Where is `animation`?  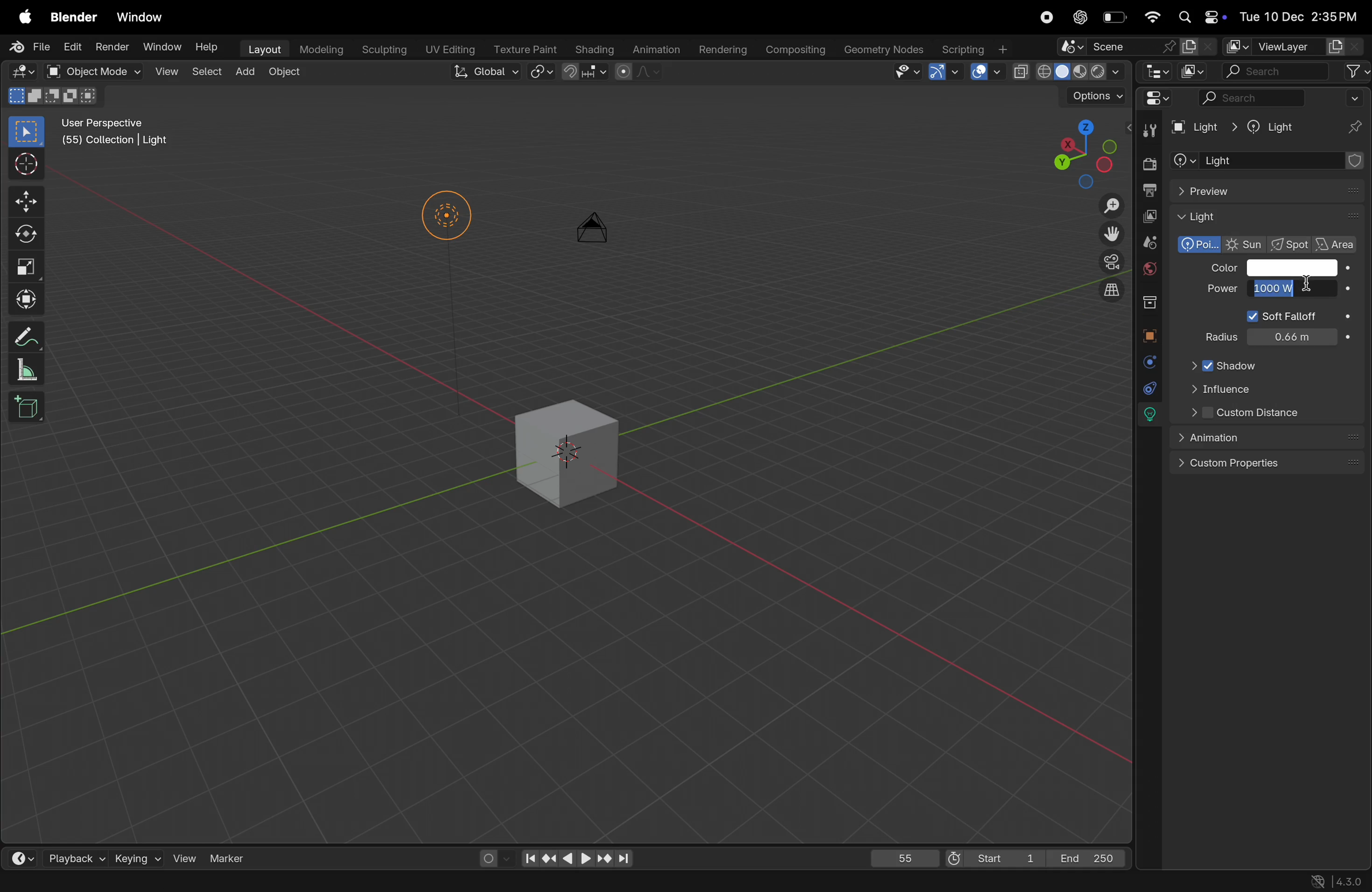 animation is located at coordinates (1266, 437).